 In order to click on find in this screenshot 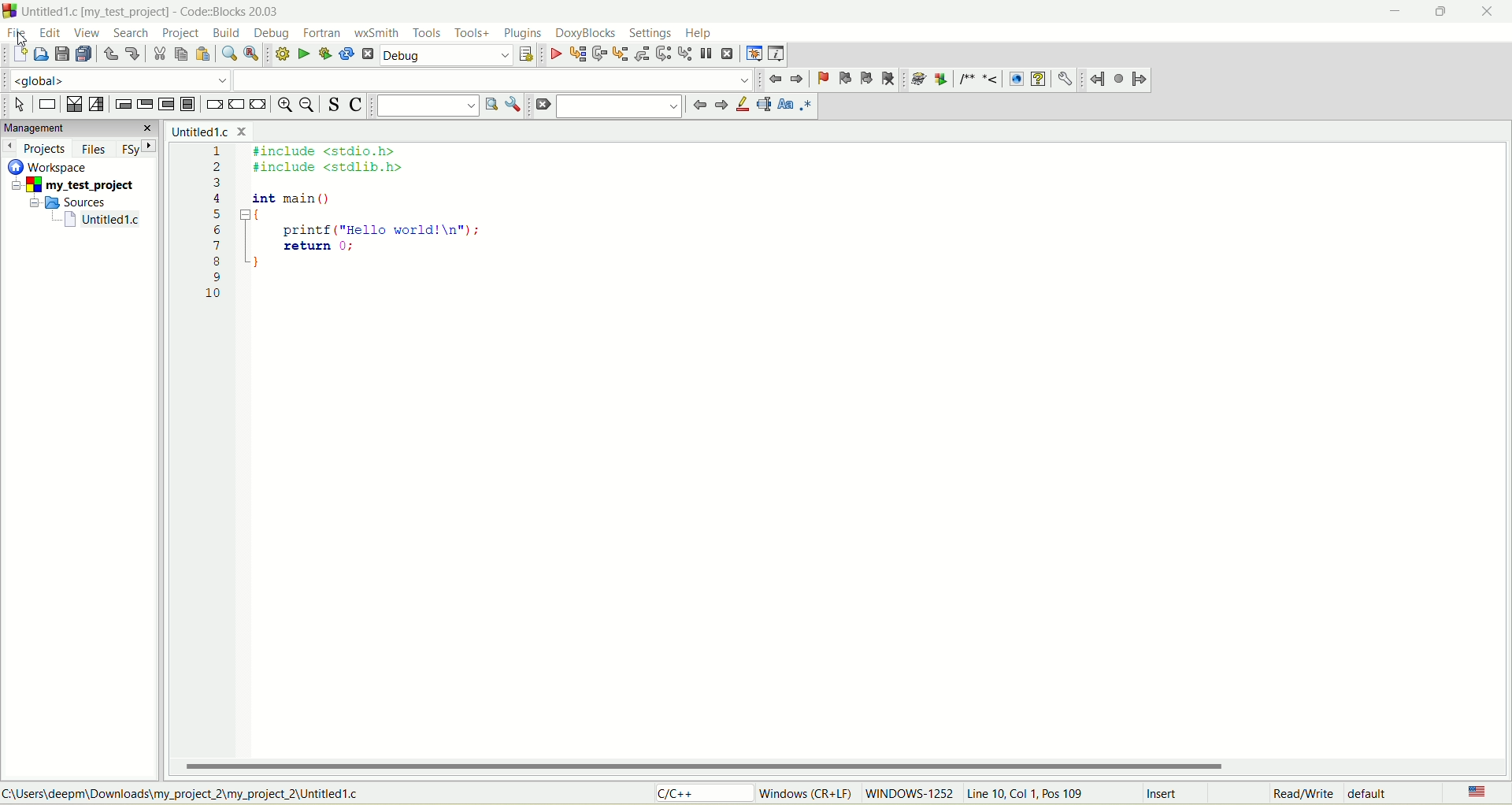, I will do `click(228, 54)`.